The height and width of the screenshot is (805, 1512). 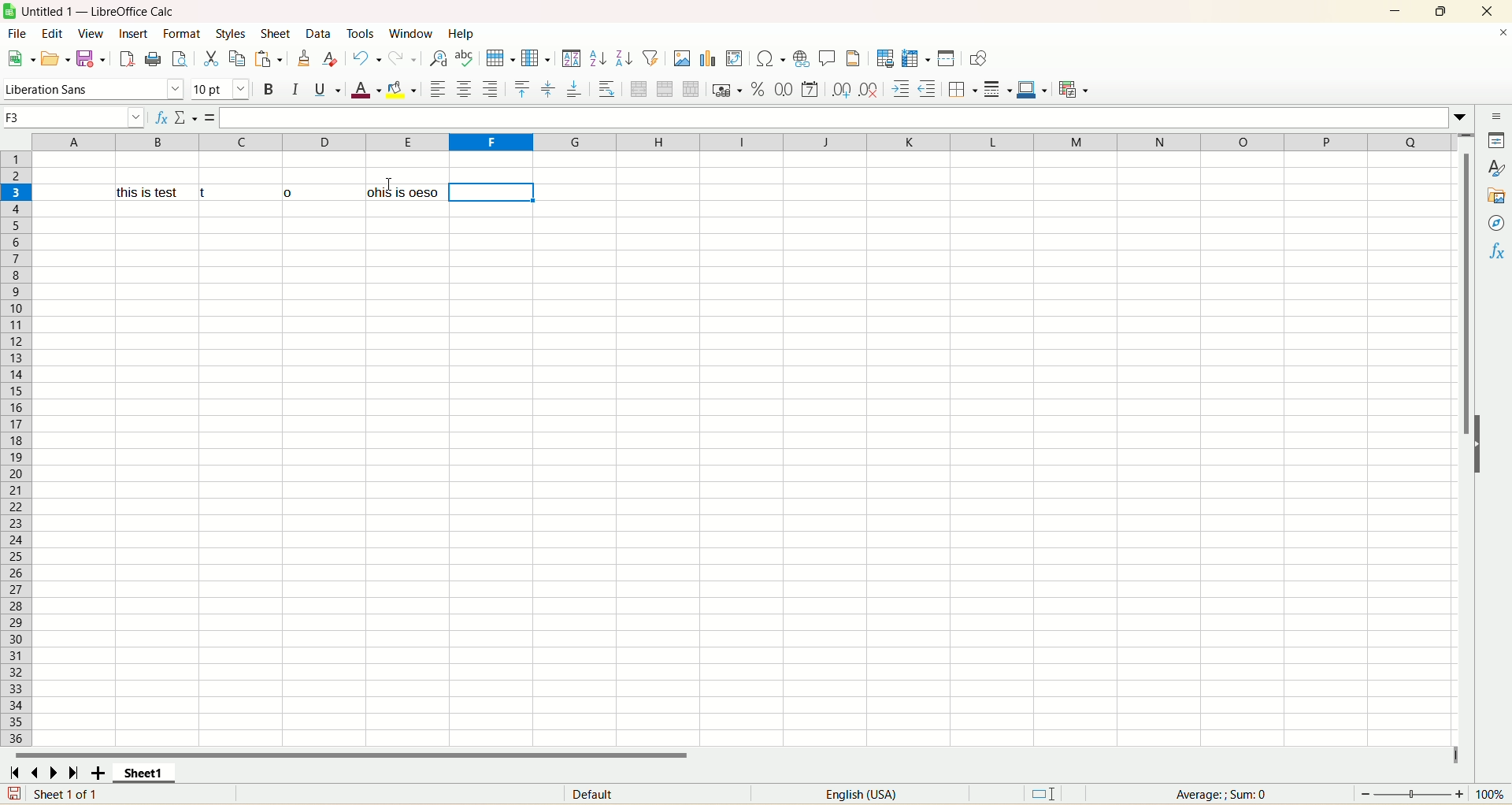 What do you see at coordinates (9, 12) in the screenshot?
I see `logo` at bounding box center [9, 12].